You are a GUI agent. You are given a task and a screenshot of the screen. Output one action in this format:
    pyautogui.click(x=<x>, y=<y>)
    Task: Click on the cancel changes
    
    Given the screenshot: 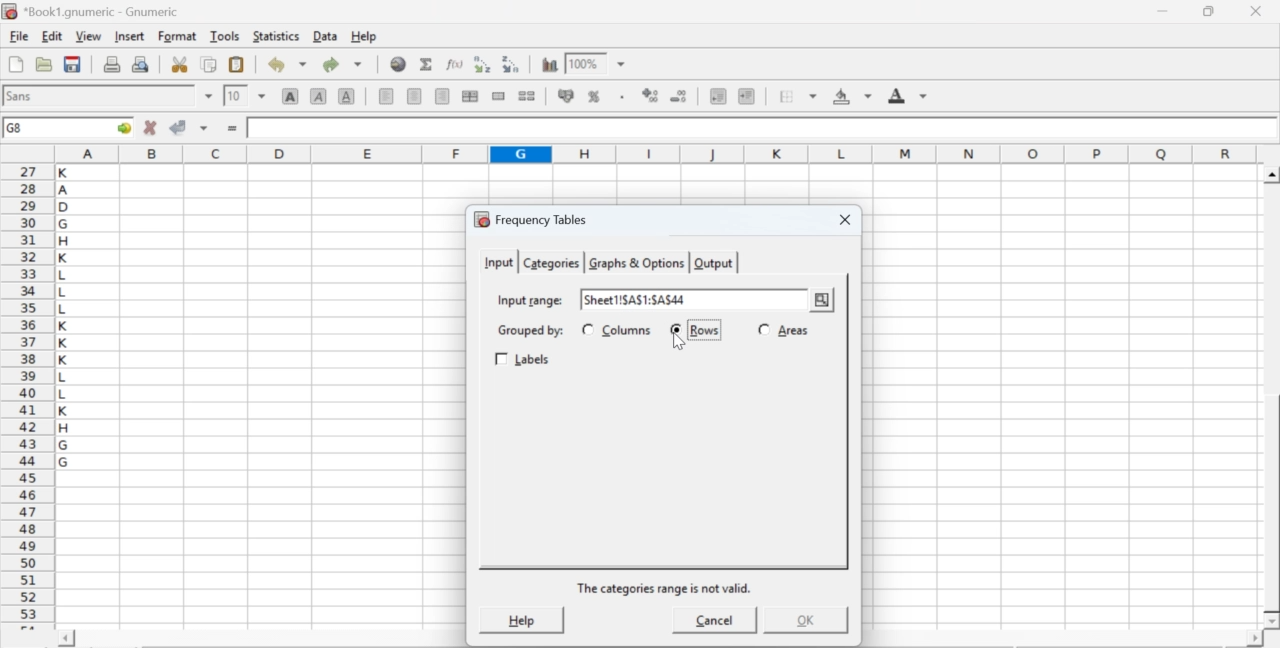 What is the action you would take?
    pyautogui.click(x=151, y=127)
    